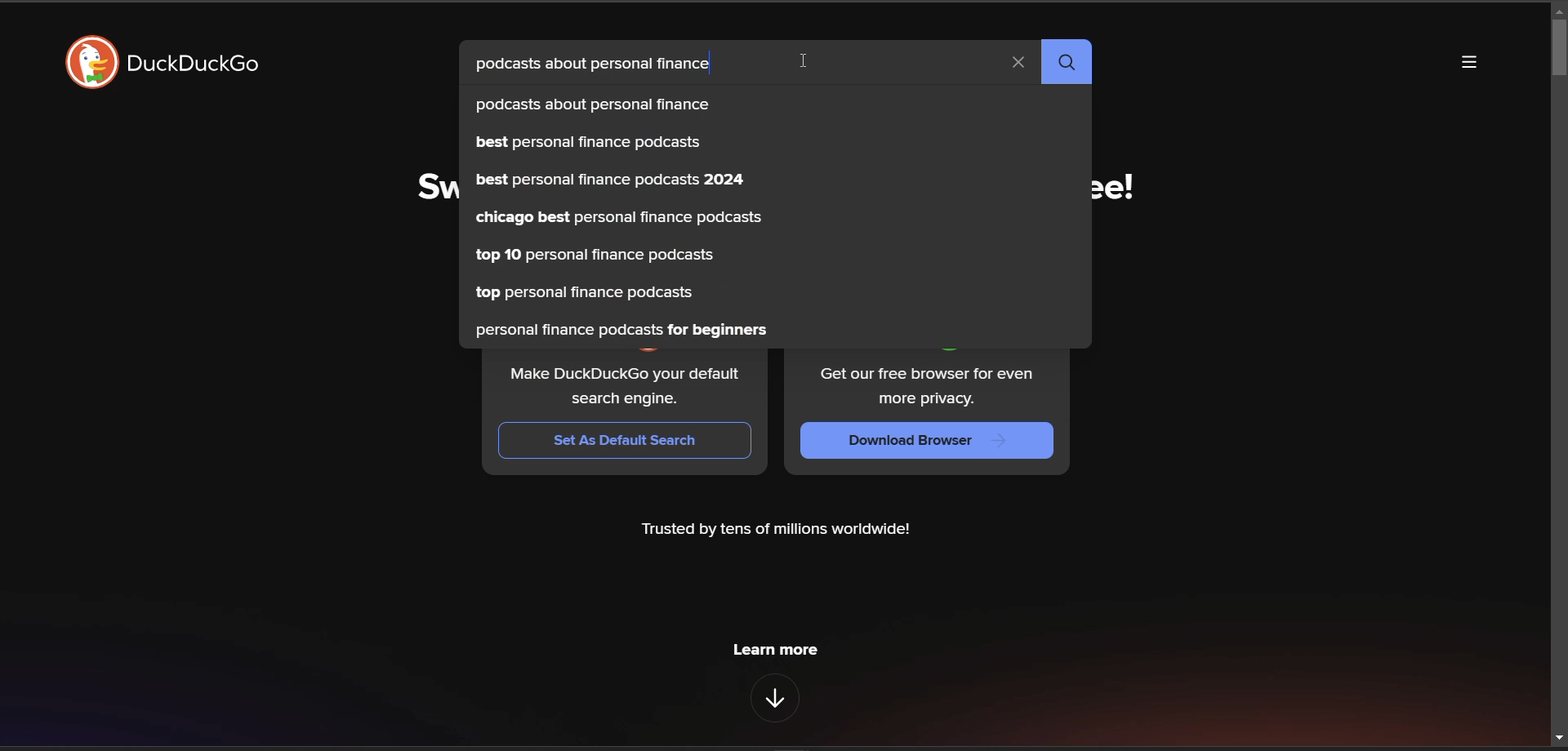  Describe the element at coordinates (929, 442) in the screenshot. I see `Download Browser |` at that location.